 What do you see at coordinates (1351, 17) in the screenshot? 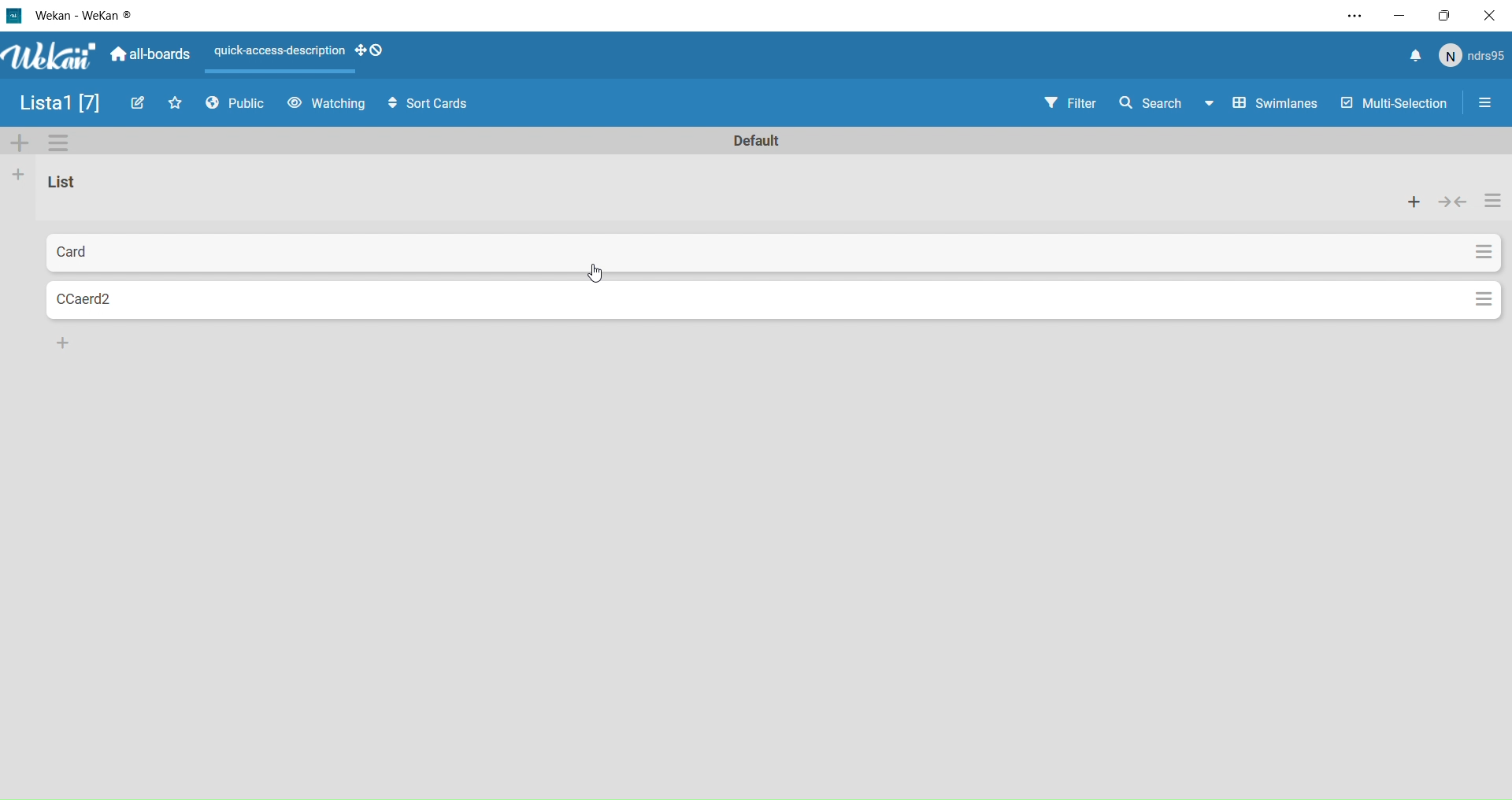
I see `Settings and more` at bounding box center [1351, 17].